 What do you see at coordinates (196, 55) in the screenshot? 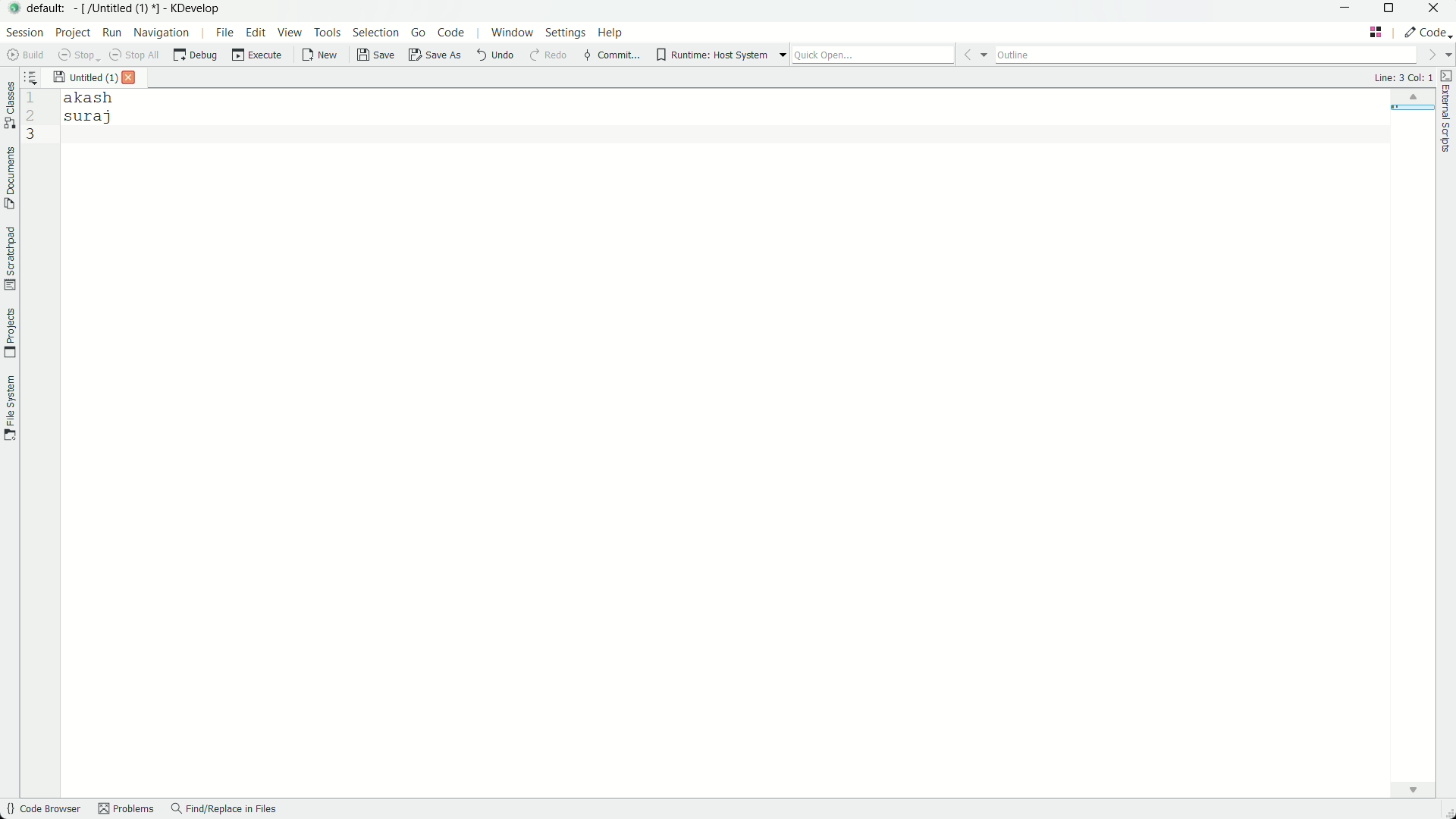
I see `debug` at bounding box center [196, 55].